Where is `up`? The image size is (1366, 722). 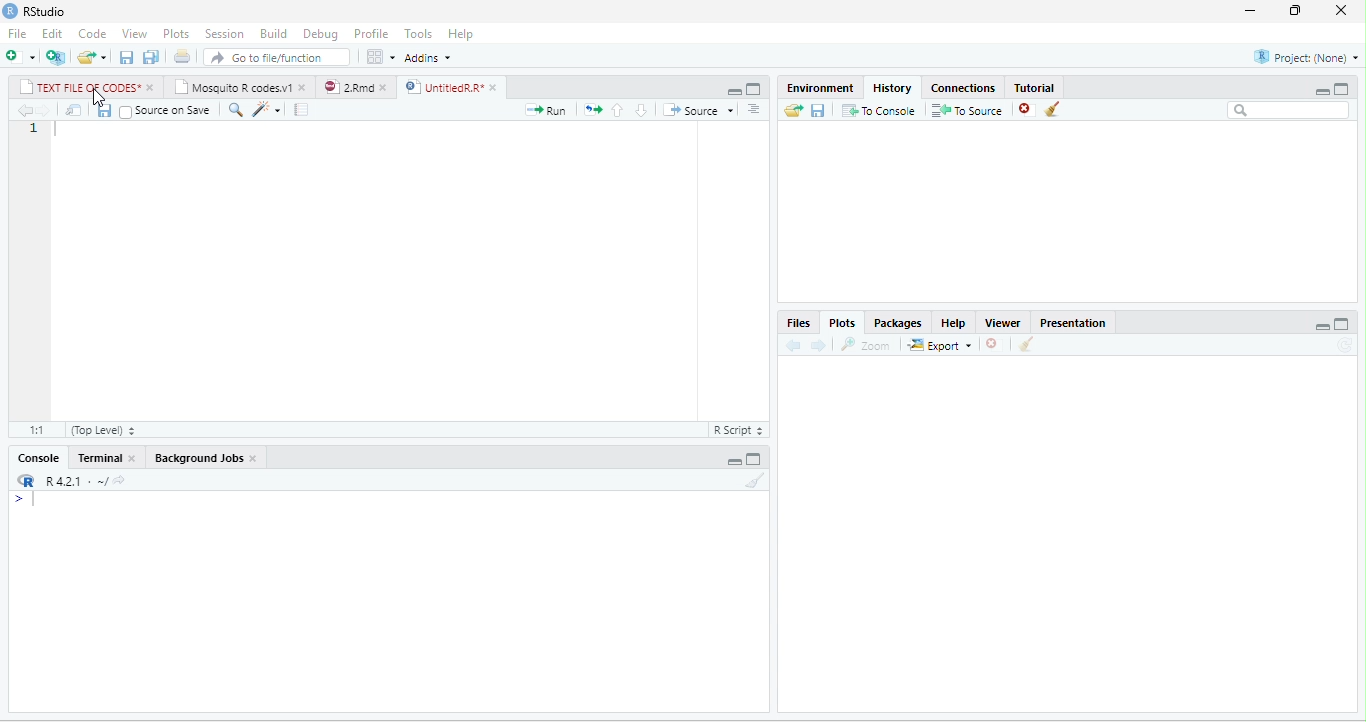
up is located at coordinates (618, 110).